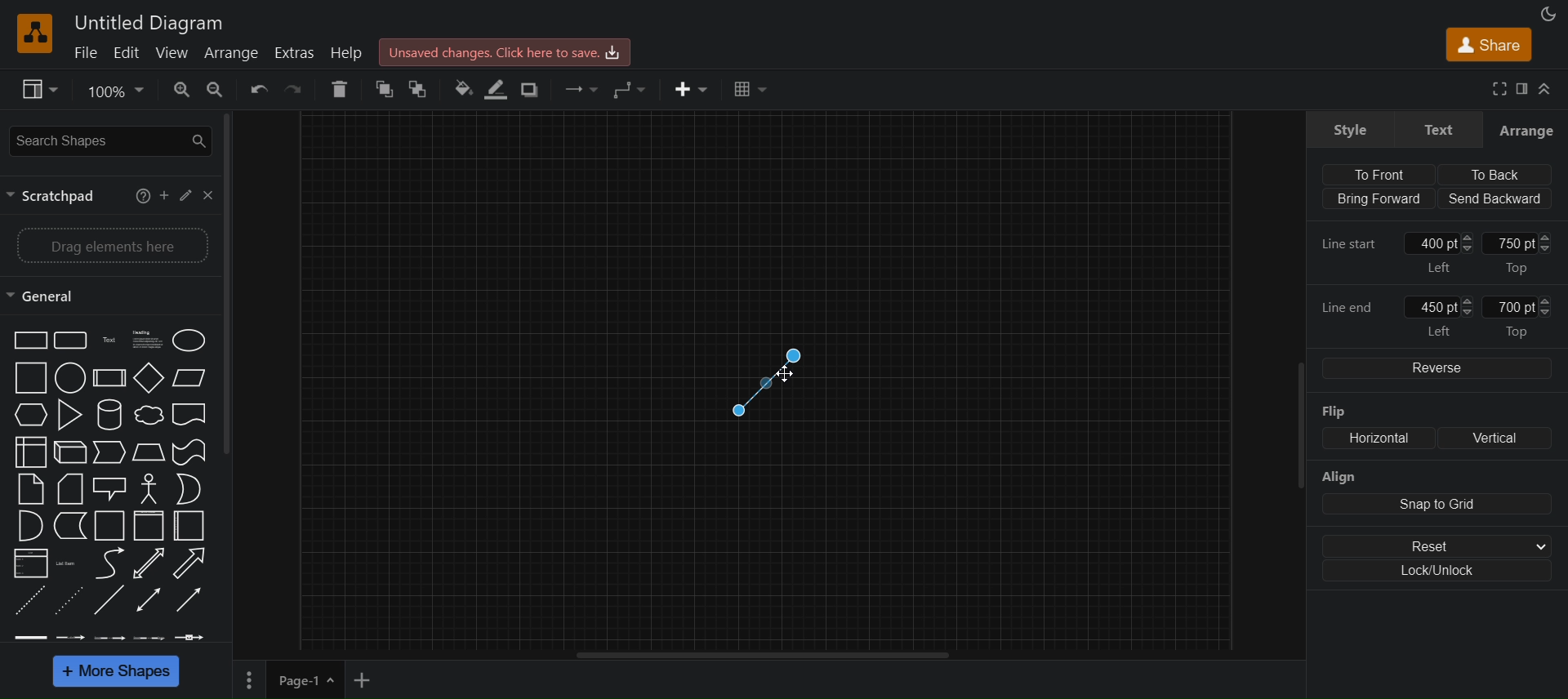  Describe the element at coordinates (38, 90) in the screenshot. I see `view` at that location.